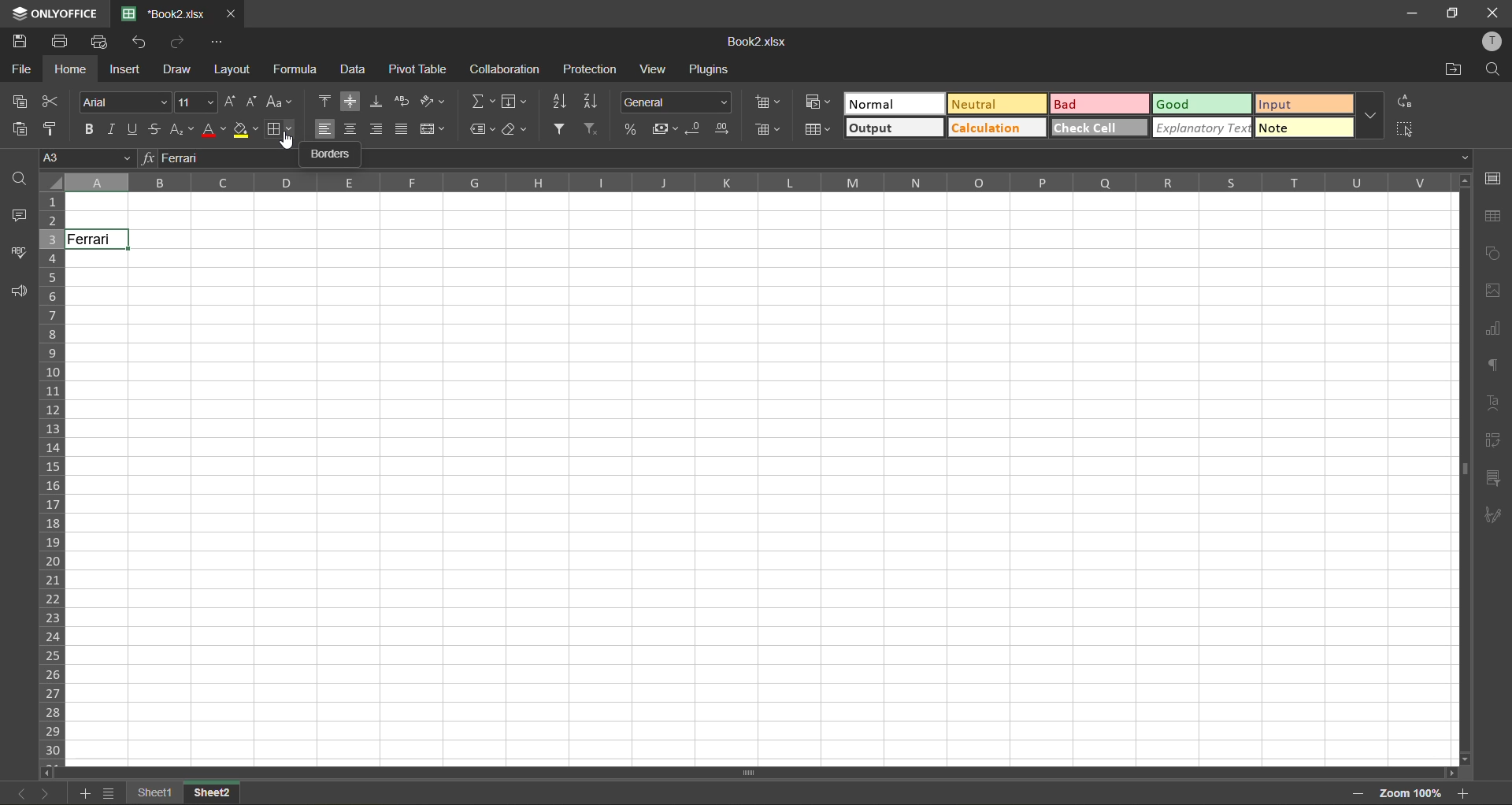 The height and width of the screenshot is (805, 1512). Describe the element at coordinates (675, 101) in the screenshot. I see `number format` at that location.